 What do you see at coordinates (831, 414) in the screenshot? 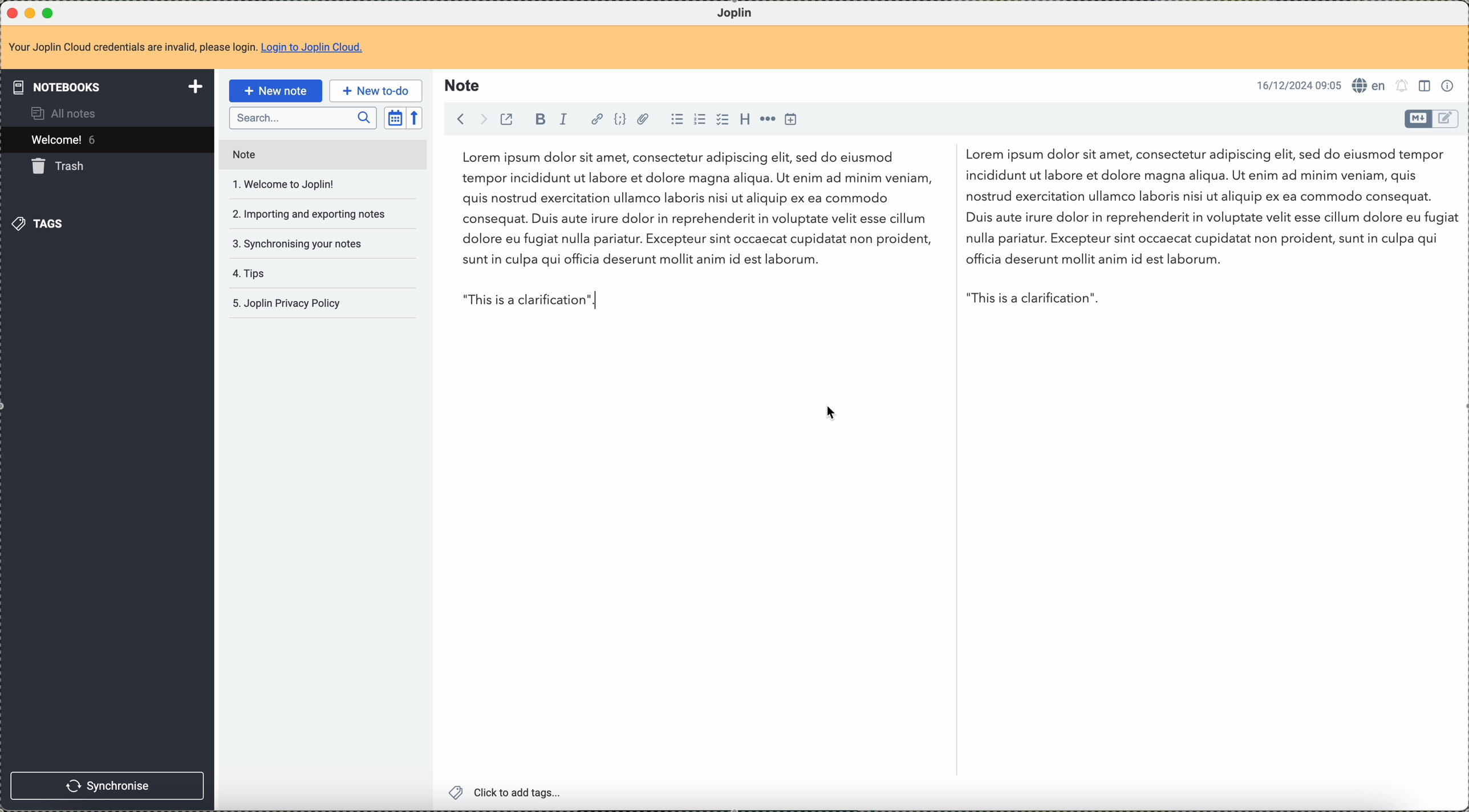
I see `mouse` at bounding box center [831, 414].